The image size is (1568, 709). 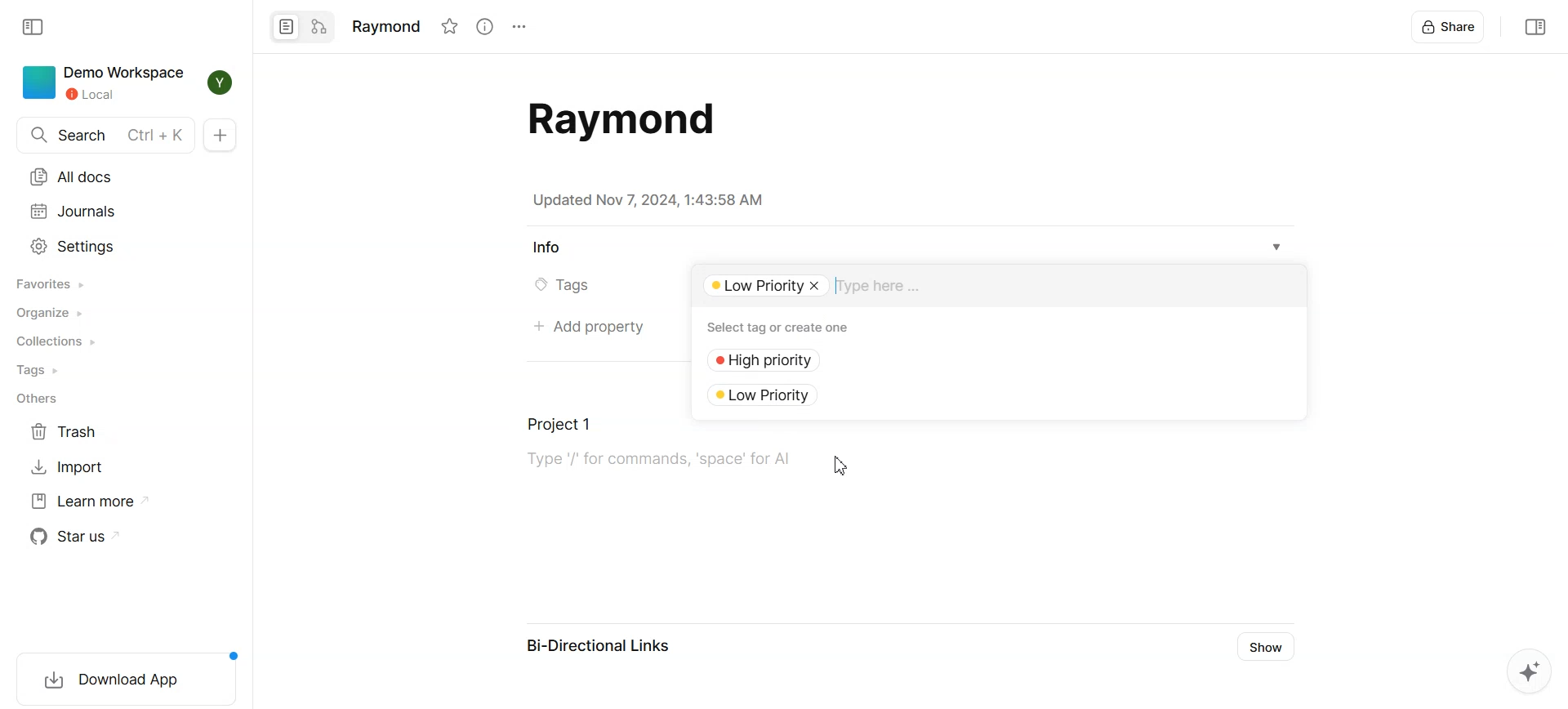 What do you see at coordinates (536, 286) in the screenshot?
I see `Tag icon` at bounding box center [536, 286].